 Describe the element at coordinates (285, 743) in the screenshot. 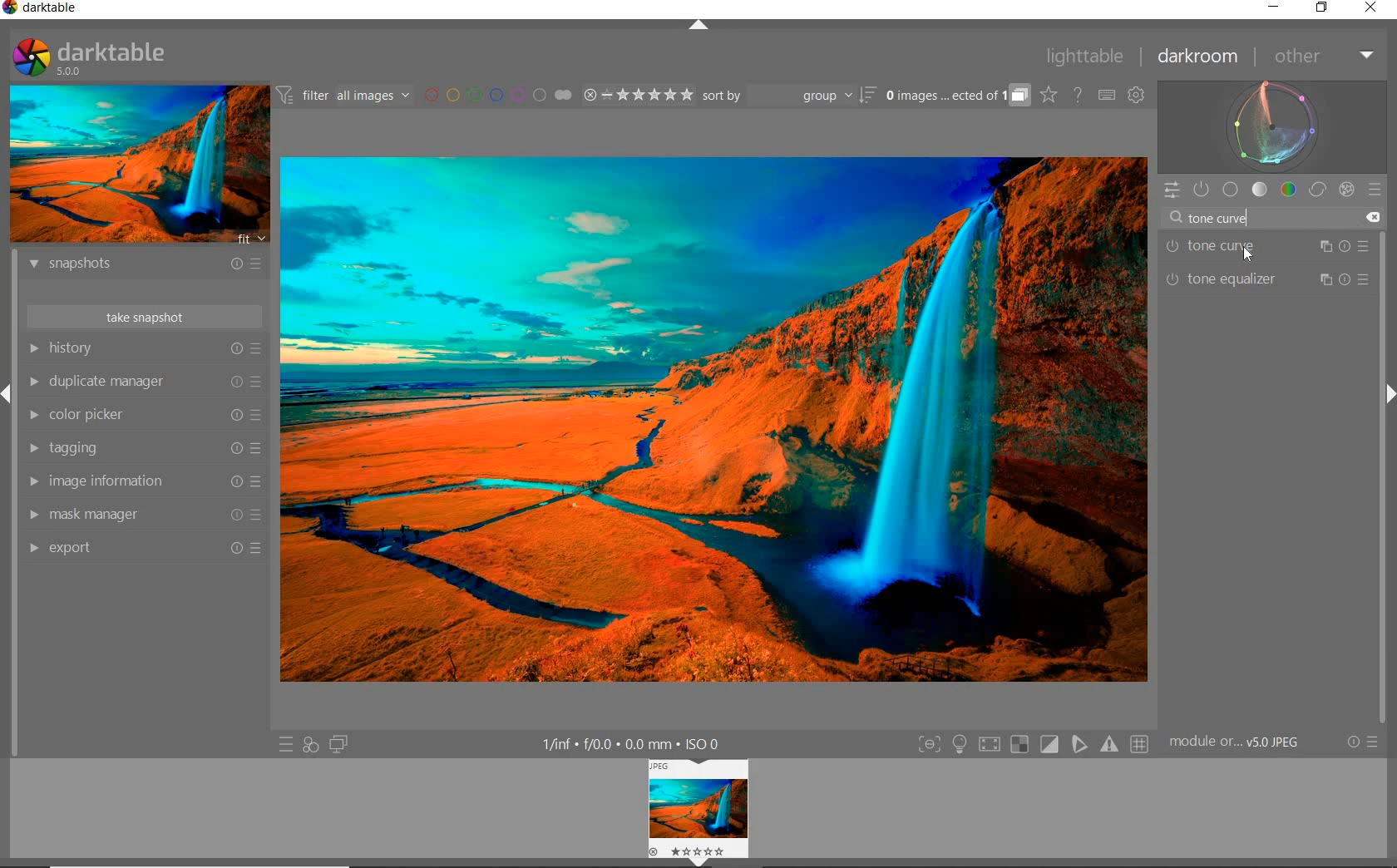

I see `QUICK ACCESS TO PRESET` at that location.